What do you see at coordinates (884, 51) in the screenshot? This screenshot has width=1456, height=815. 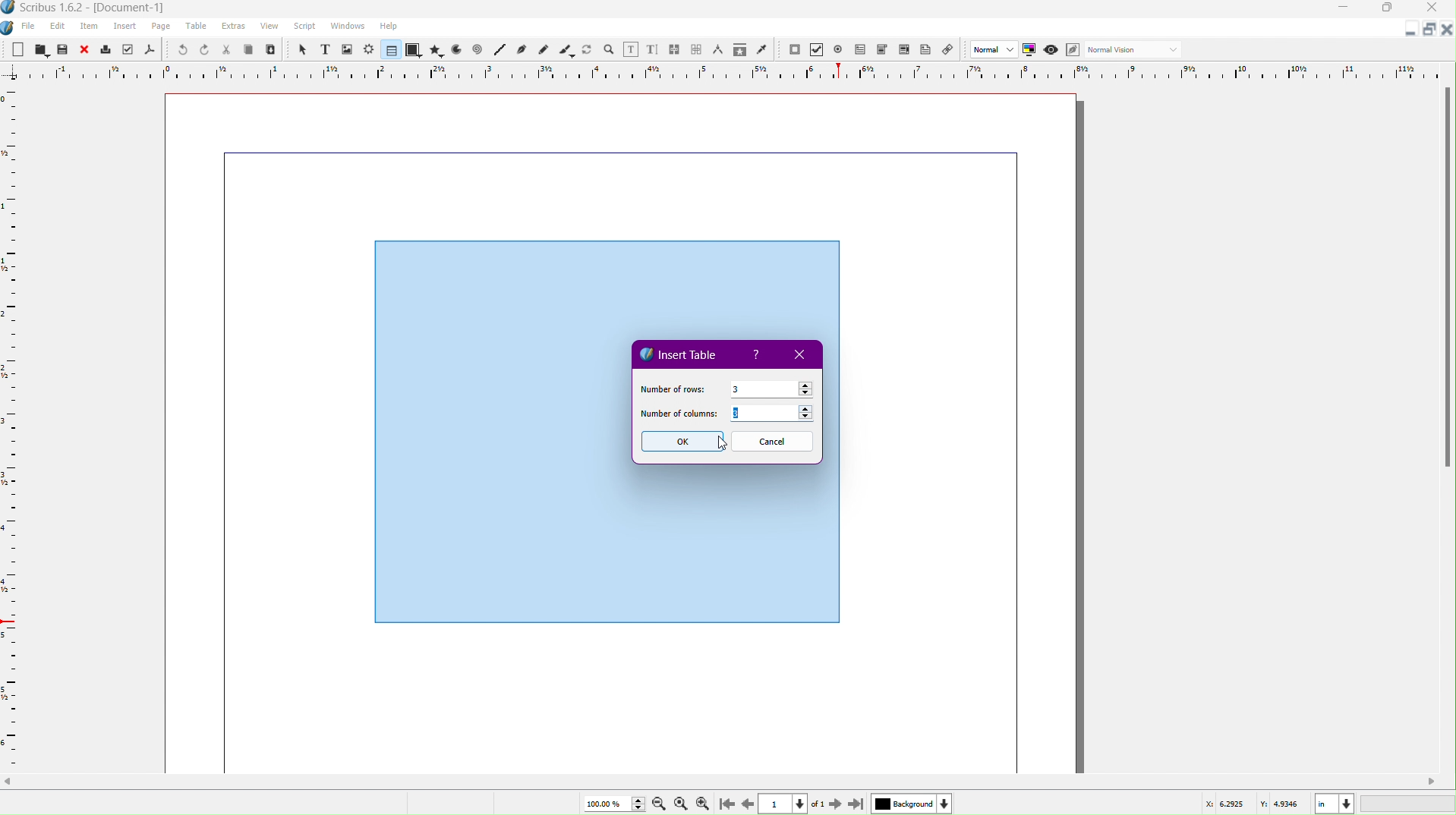 I see `PDF Combo Box` at bounding box center [884, 51].